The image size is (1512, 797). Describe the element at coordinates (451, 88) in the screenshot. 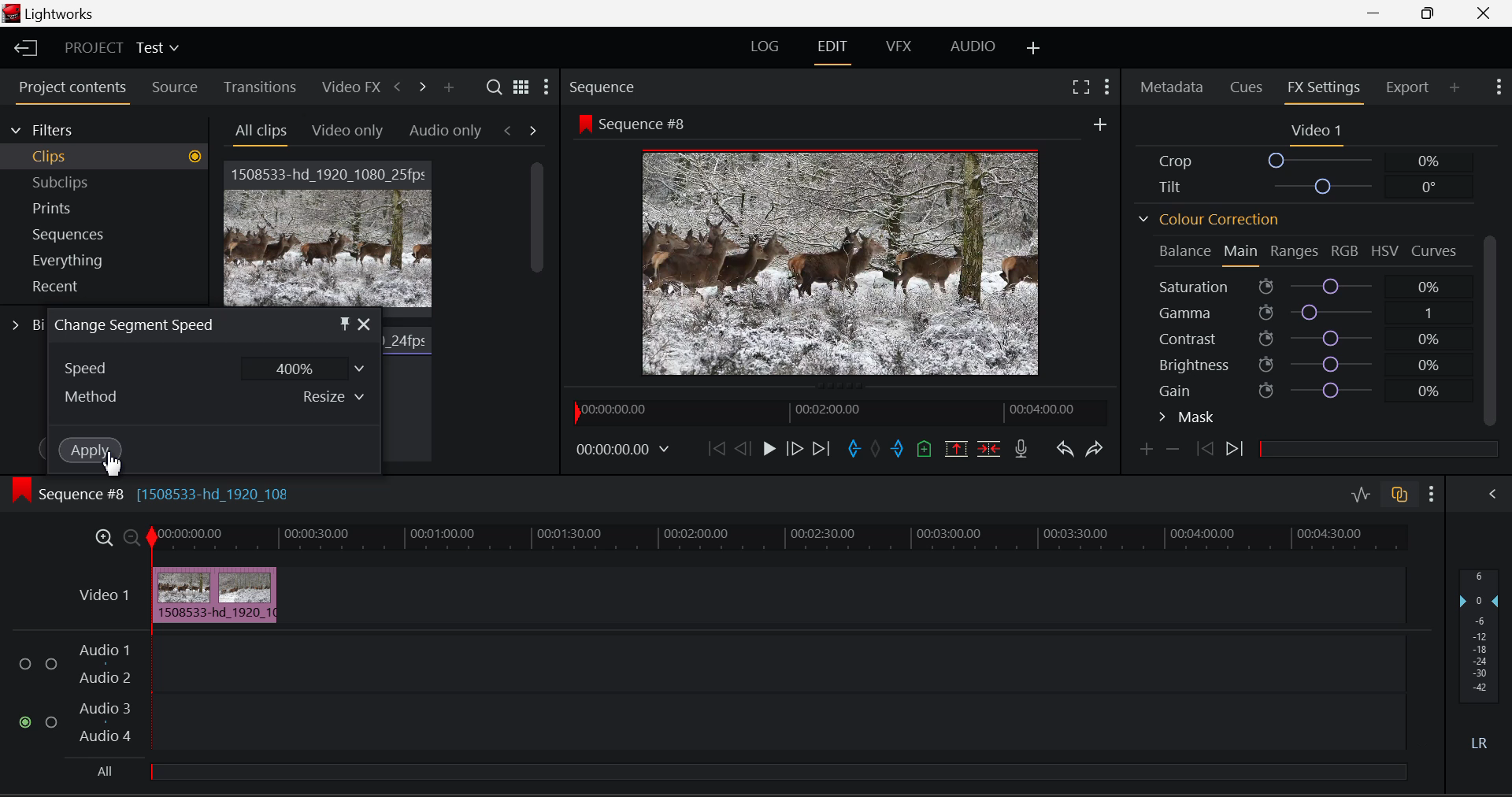

I see `Add panel` at that location.